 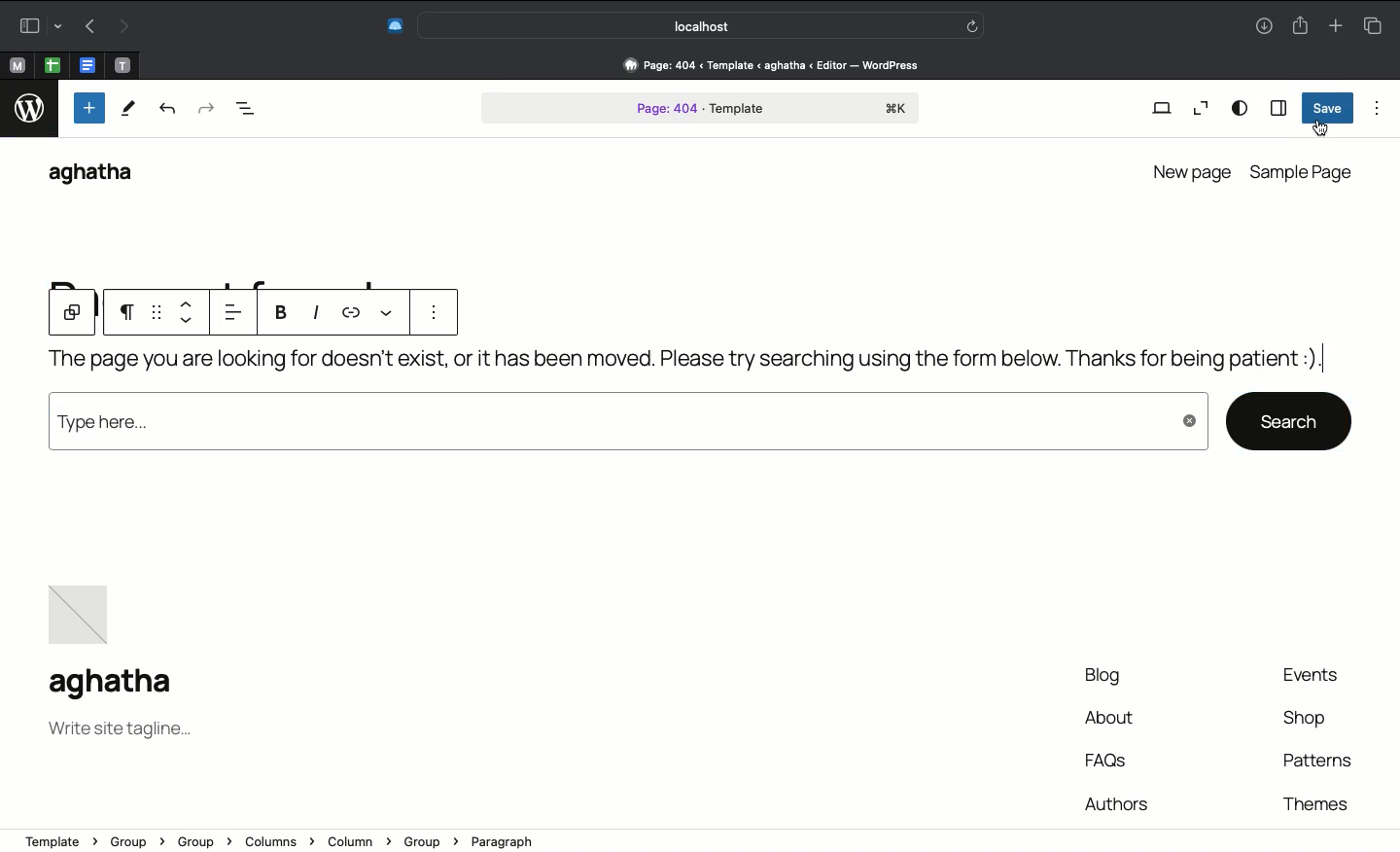 I want to click on Zoom out, so click(x=1198, y=109).